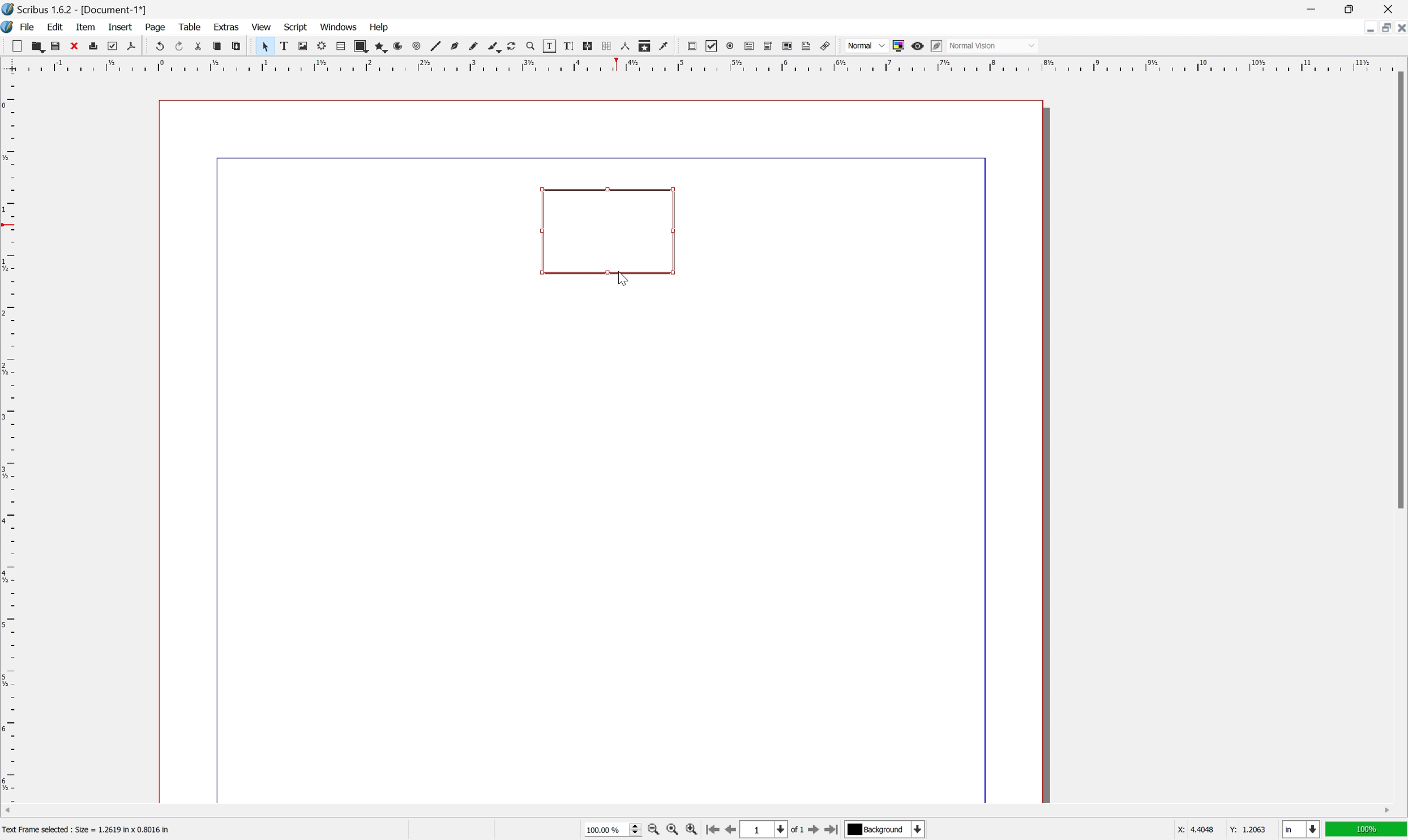 The height and width of the screenshot is (840, 1408). Describe the element at coordinates (181, 46) in the screenshot. I see `redo` at that location.